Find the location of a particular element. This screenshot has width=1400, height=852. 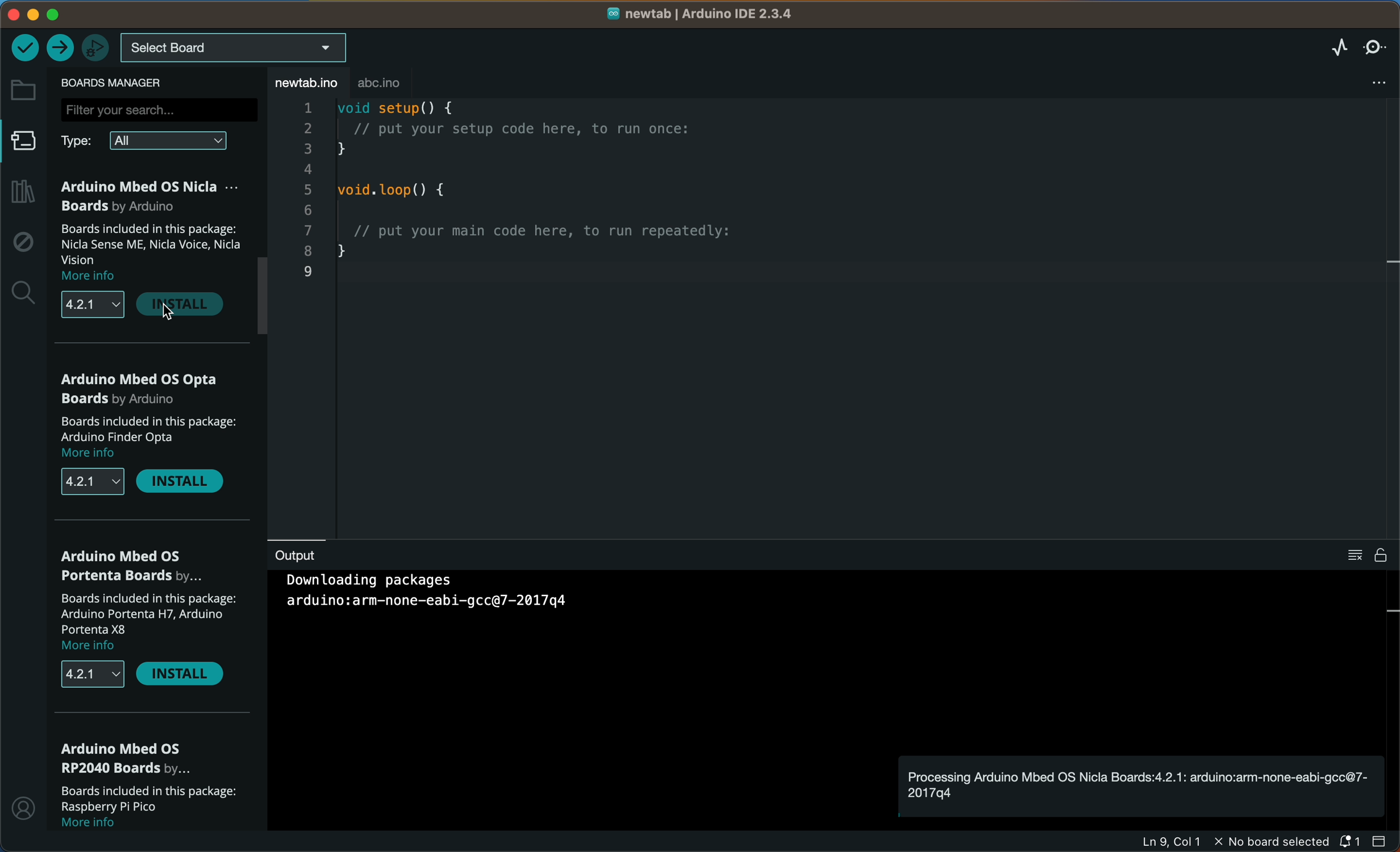

verify is located at coordinates (26, 49).